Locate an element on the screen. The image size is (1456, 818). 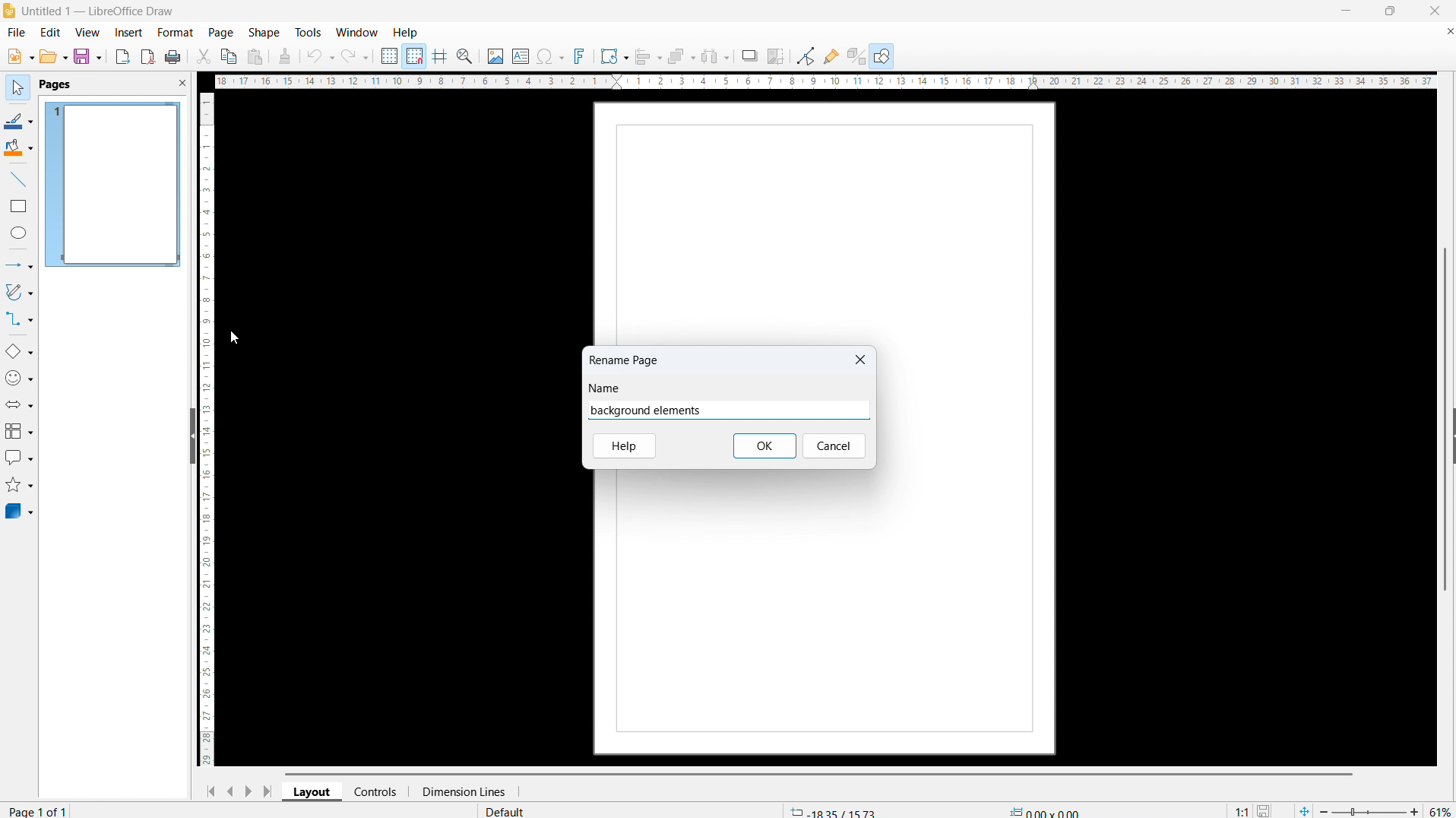
Close is located at coordinates (859, 356).